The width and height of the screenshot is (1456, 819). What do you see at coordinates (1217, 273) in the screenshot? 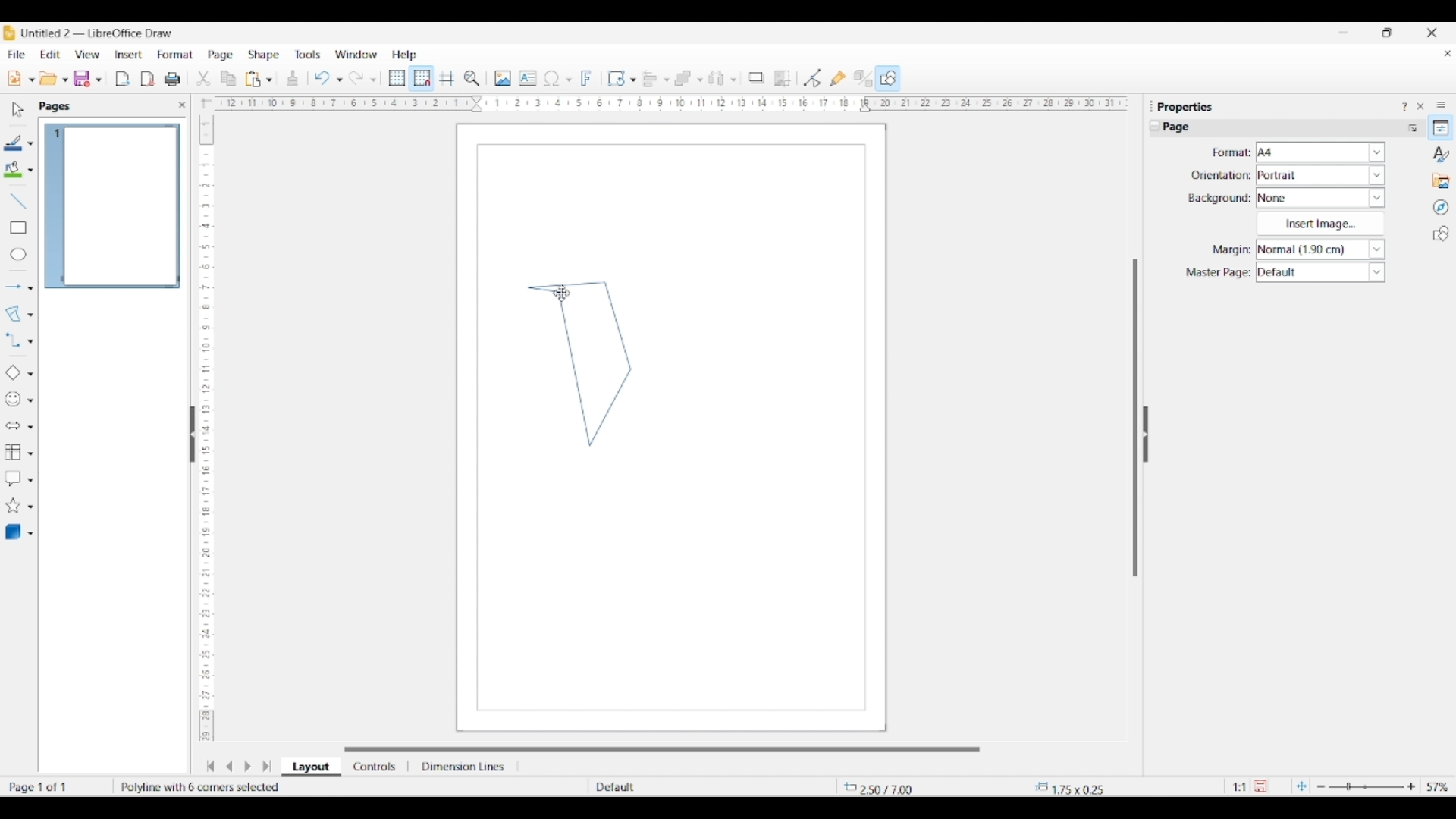
I see `Indicates master page settings` at bounding box center [1217, 273].